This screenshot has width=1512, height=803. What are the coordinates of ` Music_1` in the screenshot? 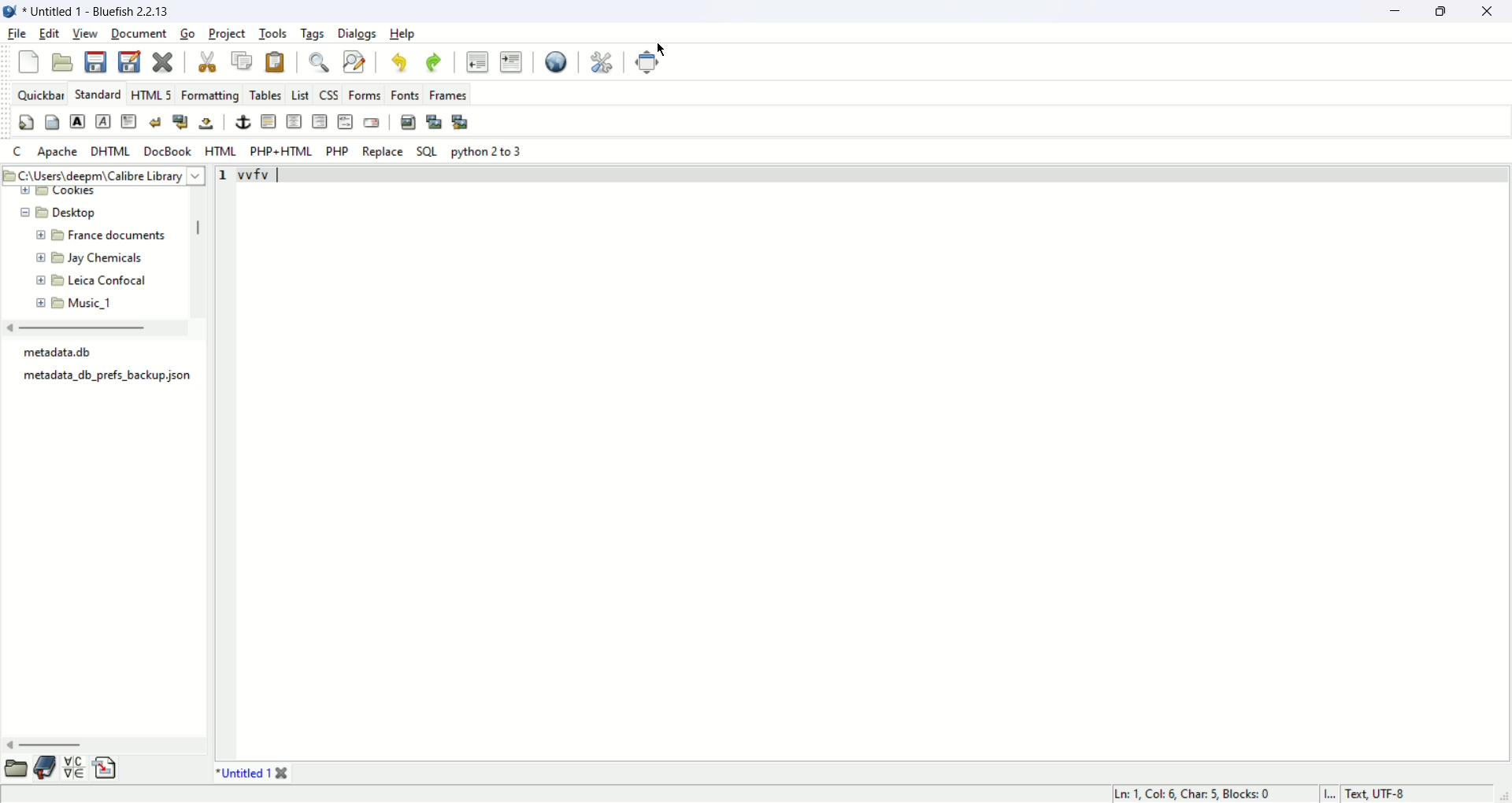 It's located at (91, 303).